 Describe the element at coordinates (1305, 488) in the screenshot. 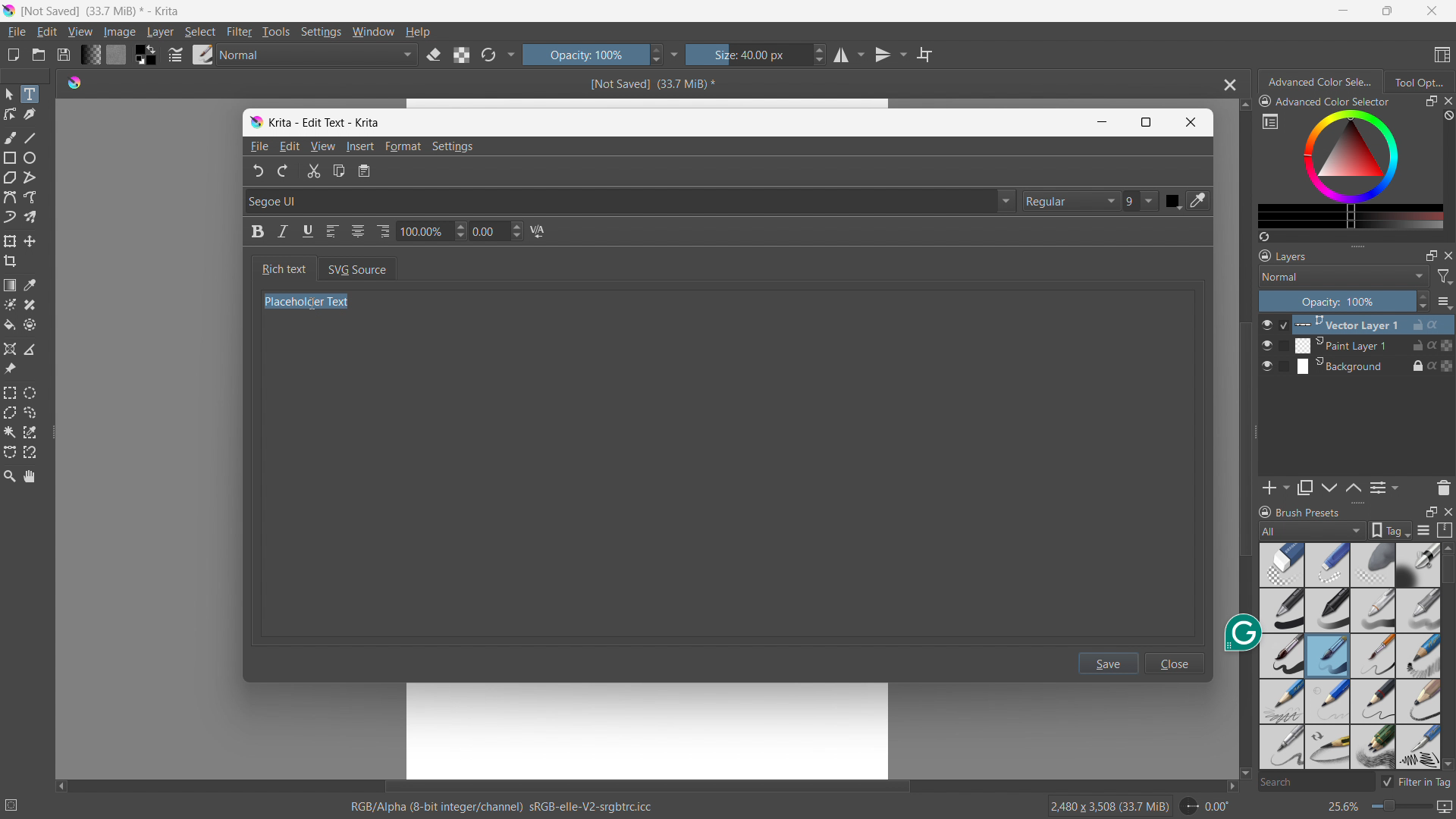

I see `duplicate layer` at that location.